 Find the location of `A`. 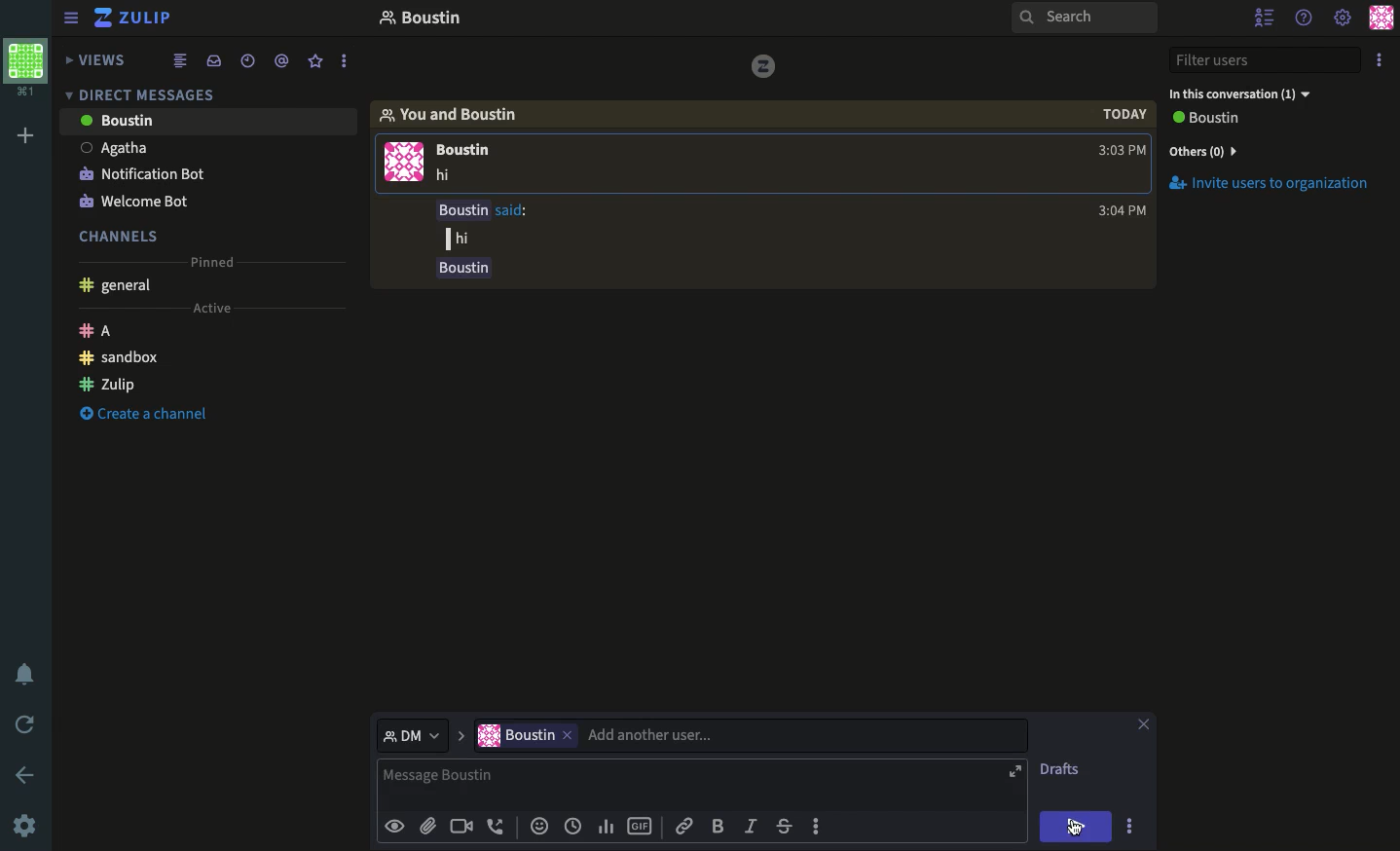

A is located at coordinates (101, 329).